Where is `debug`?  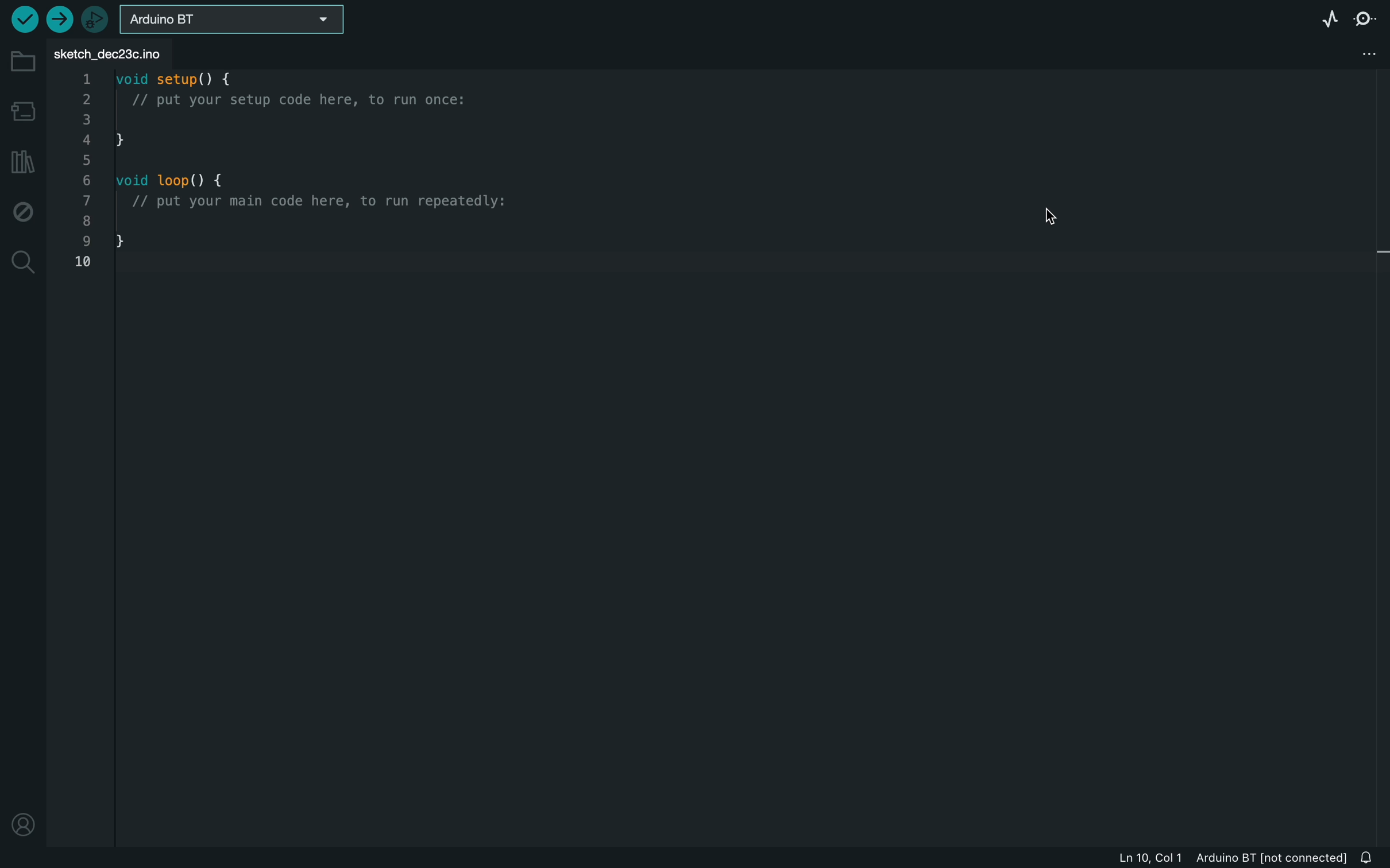 debug is located at coordinates (24, 211).